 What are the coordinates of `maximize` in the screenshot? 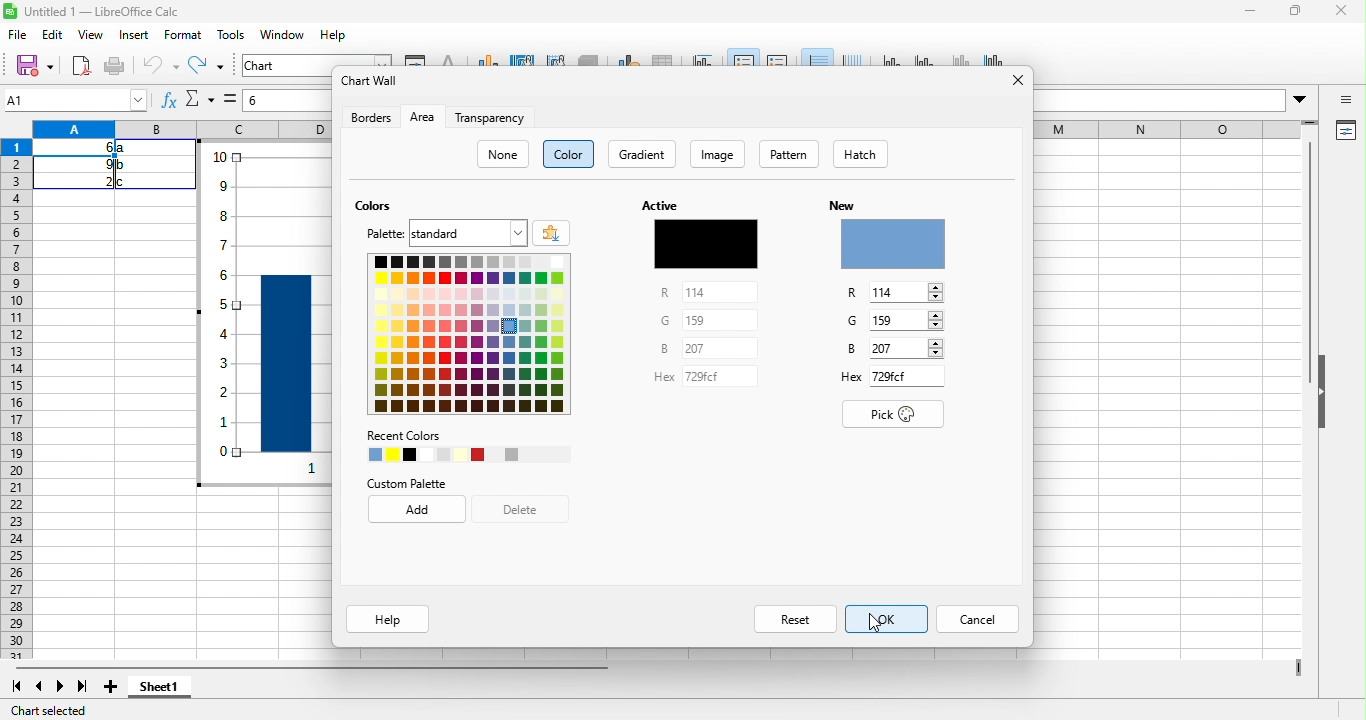 It's located at (1294, 12).